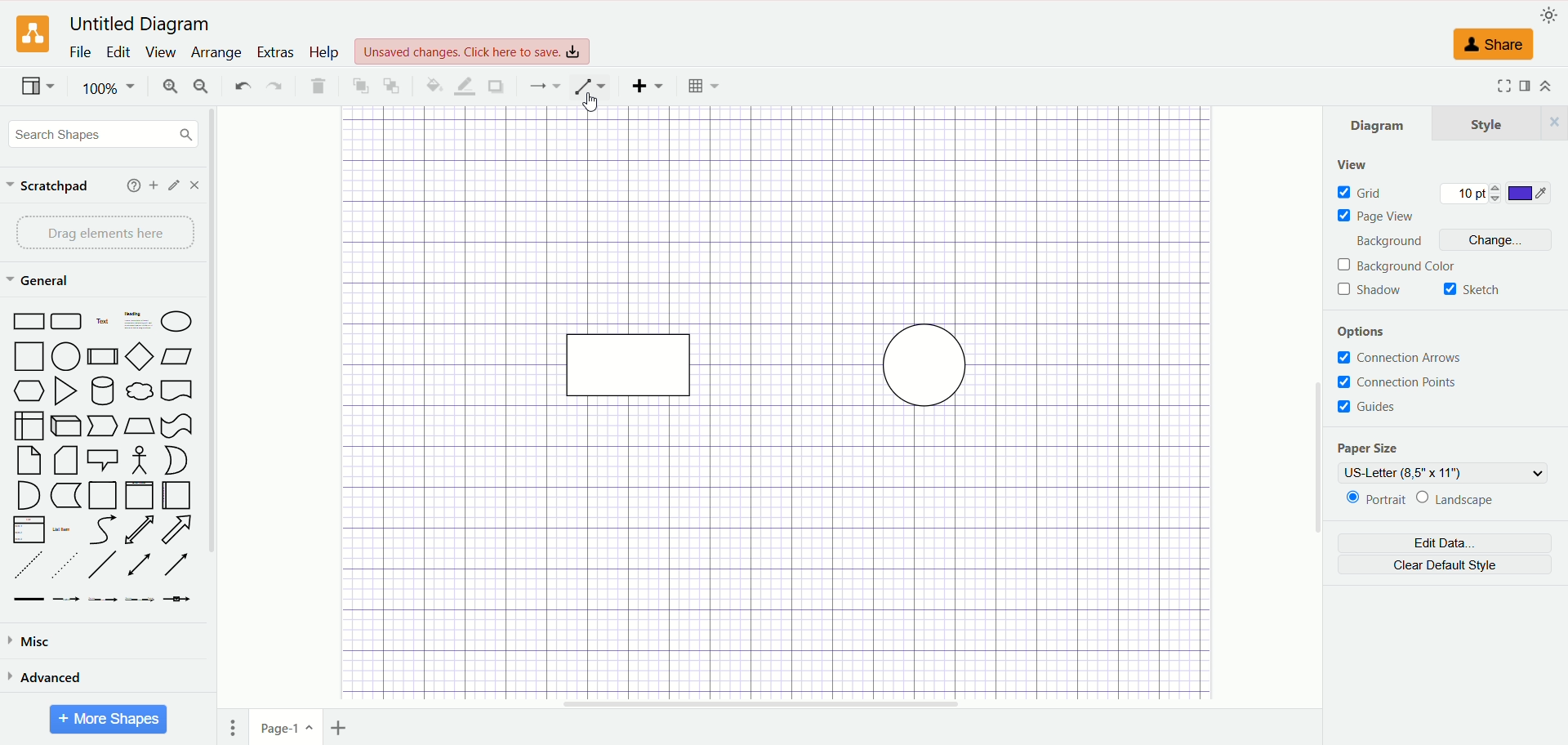 The height and width of the screenshot is (745, 1568). Describe the element at coordinates (1370, 289) in the screenshot. I see `shadow` at that location.